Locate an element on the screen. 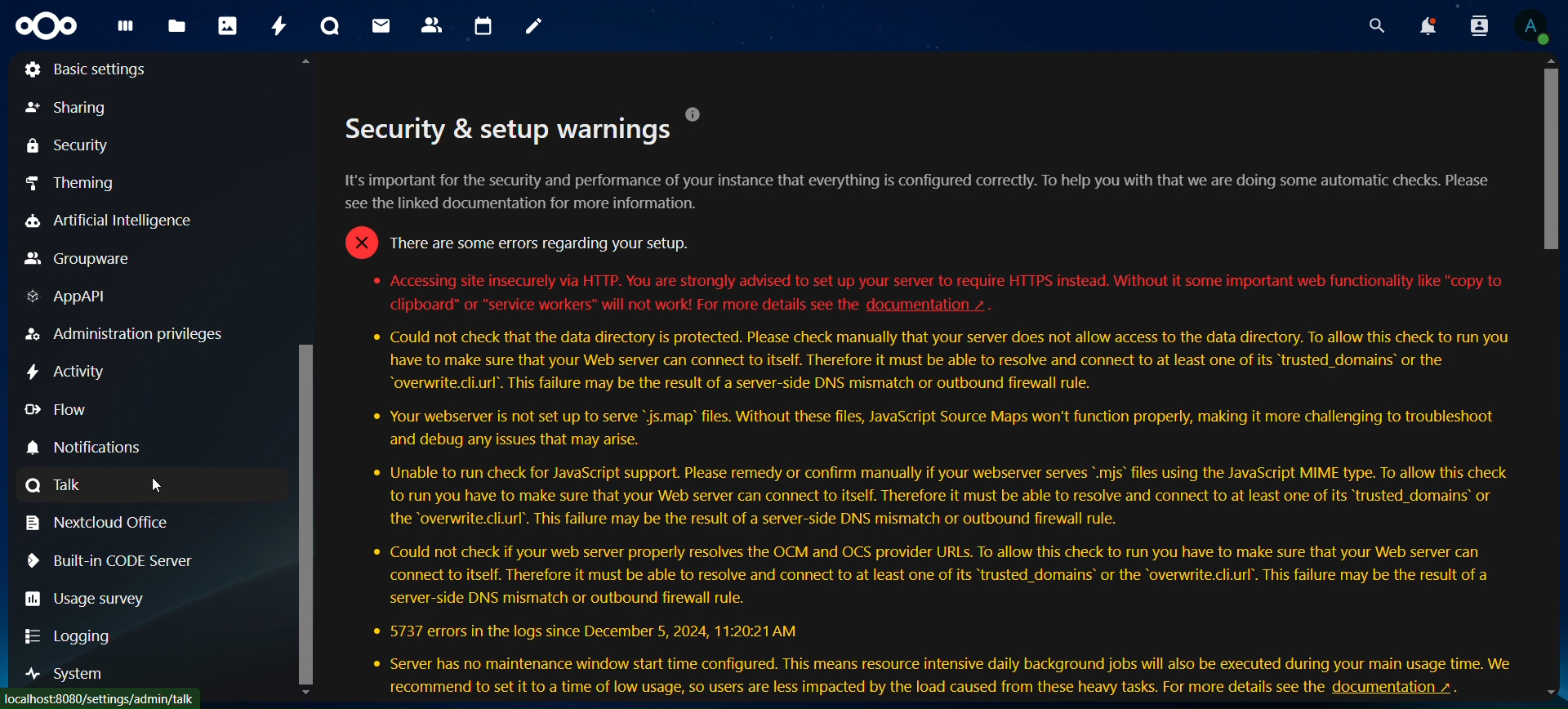  admin is located at coordinates (124, 333).